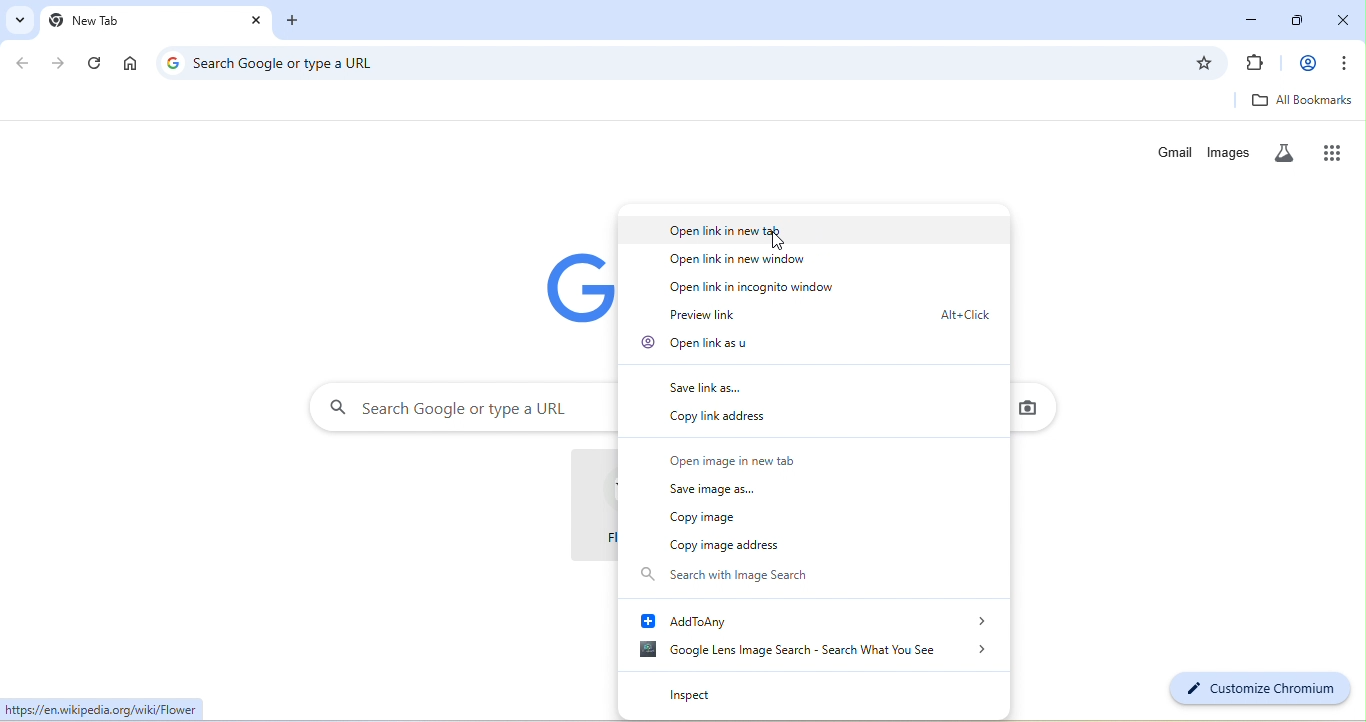 This screenshot has width=1366, height=722. What do you see at coordinates (1345, 17) in the screenshot?
I see `close` at bounding box center [1345, 17].